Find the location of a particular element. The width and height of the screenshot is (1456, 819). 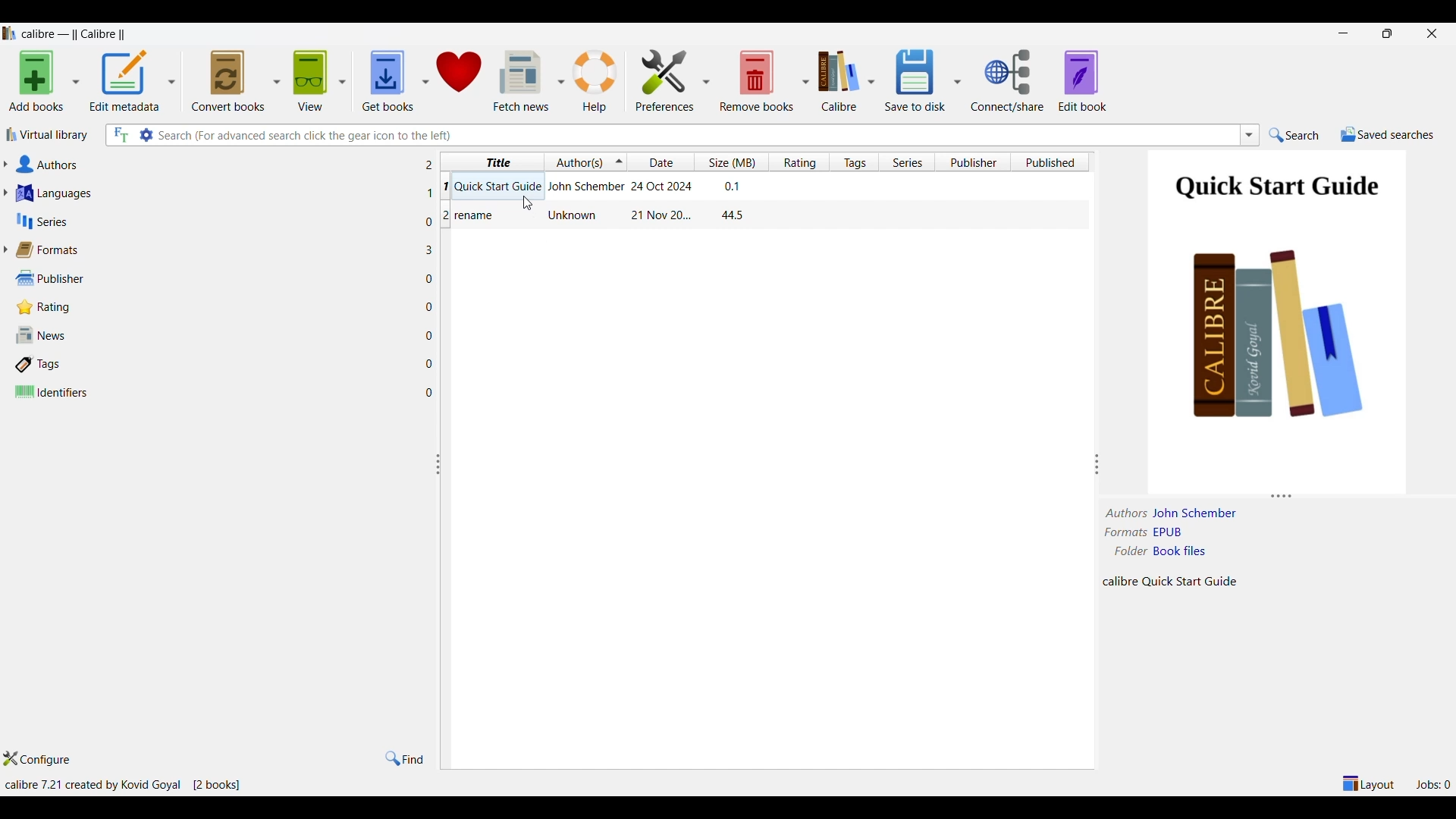

Fetch news is located at coordinates (521, 80).